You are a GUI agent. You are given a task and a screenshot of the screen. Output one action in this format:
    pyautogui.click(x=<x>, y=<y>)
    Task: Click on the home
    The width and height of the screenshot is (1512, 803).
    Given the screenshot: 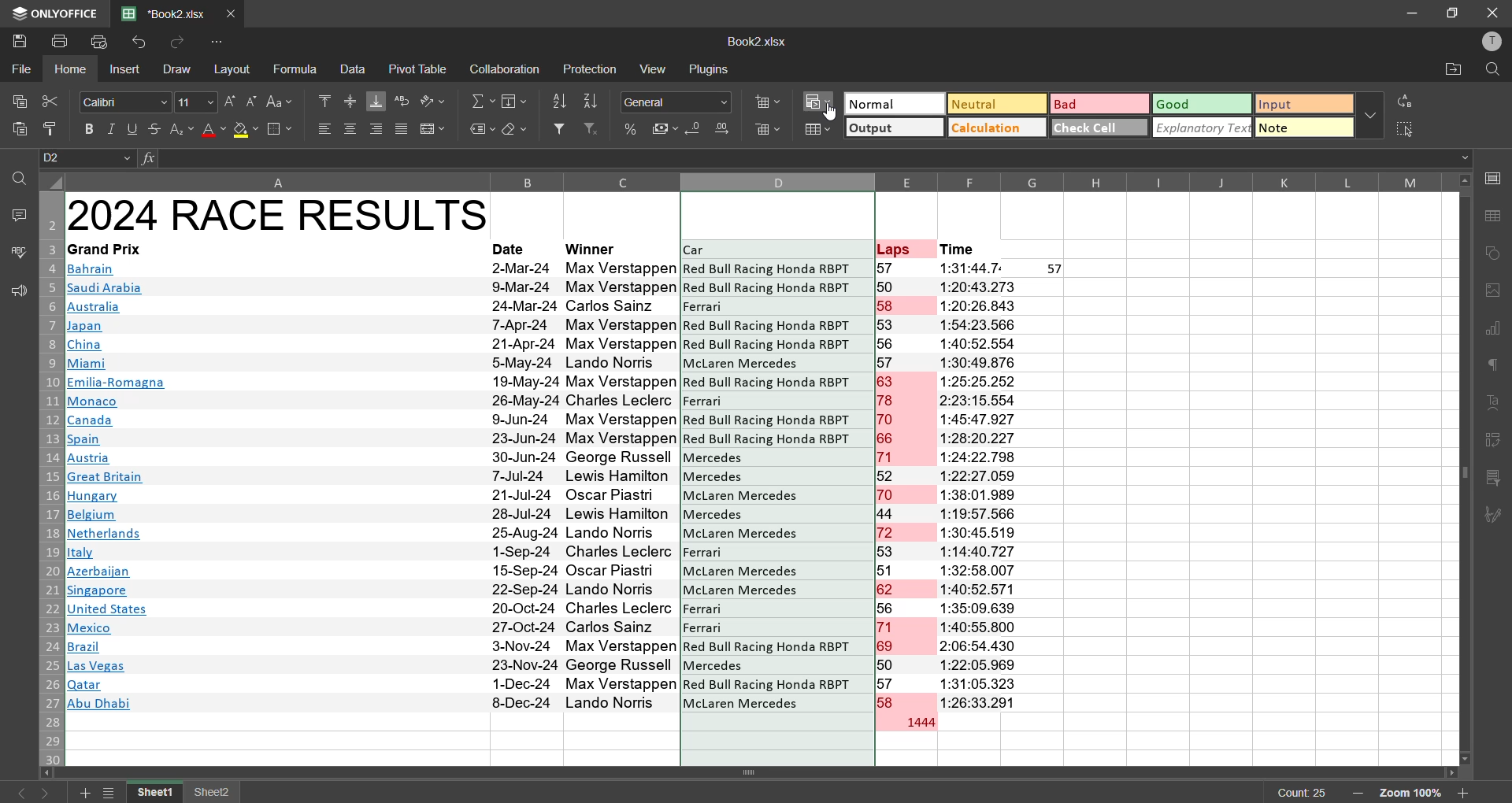 What is the action you would take?
    pyautogui.click(x=74, y=69)
    